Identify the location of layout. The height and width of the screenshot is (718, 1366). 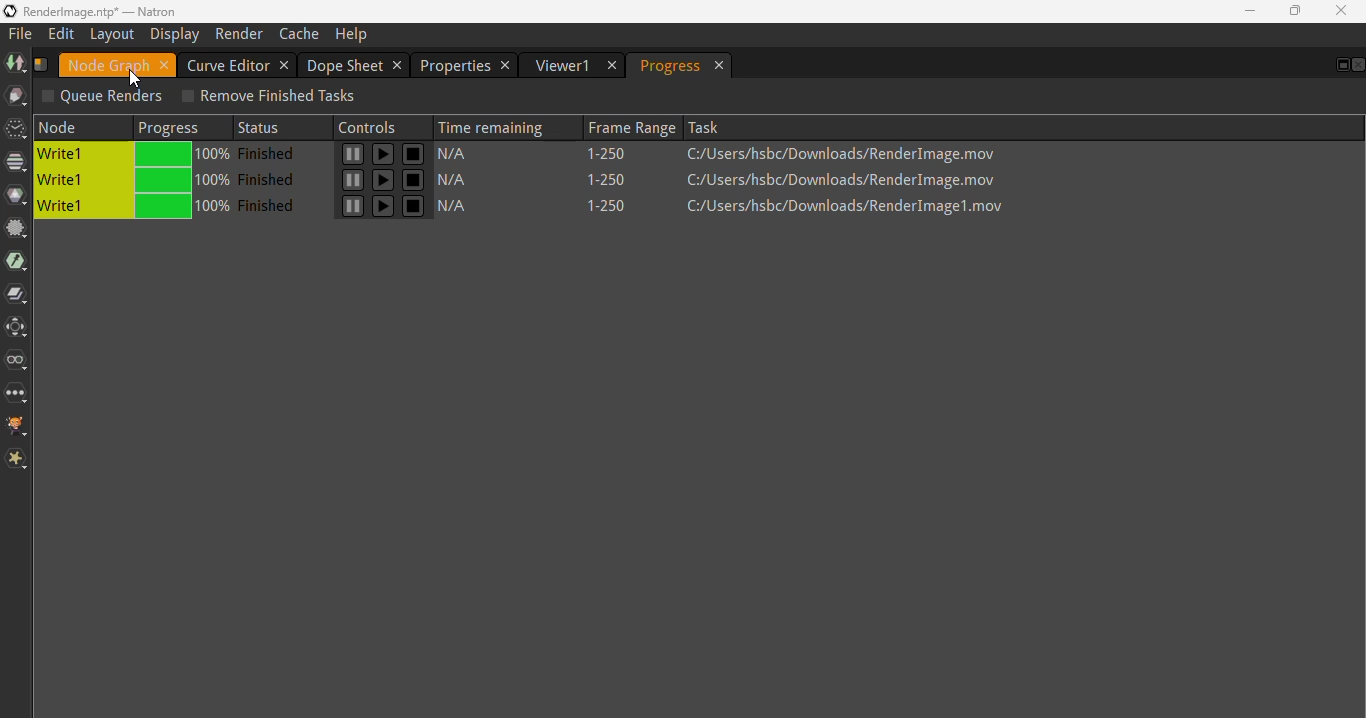
(111, 34).